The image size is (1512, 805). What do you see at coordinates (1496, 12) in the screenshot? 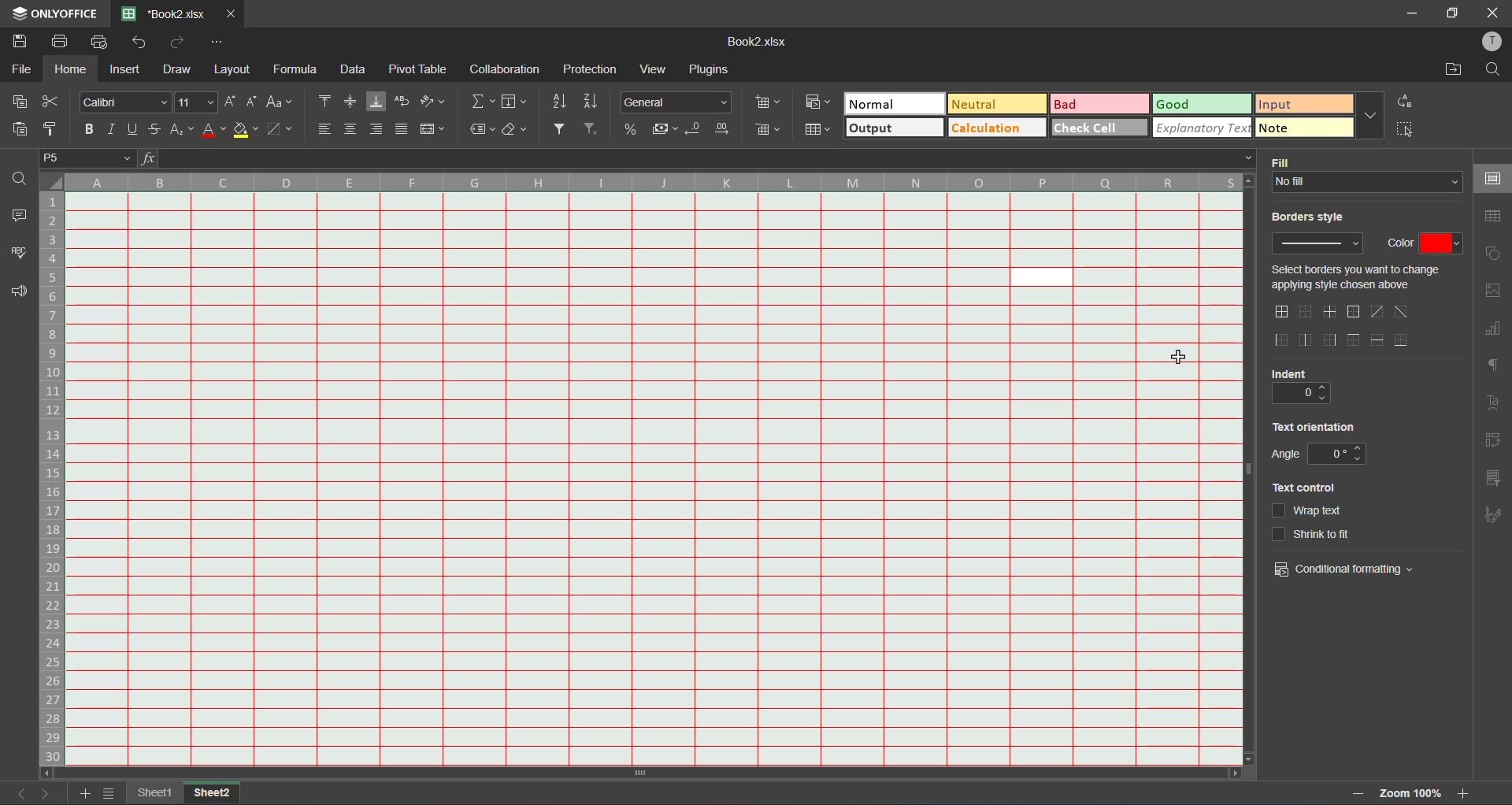
I see `close` at bounding box center [1496, 12].